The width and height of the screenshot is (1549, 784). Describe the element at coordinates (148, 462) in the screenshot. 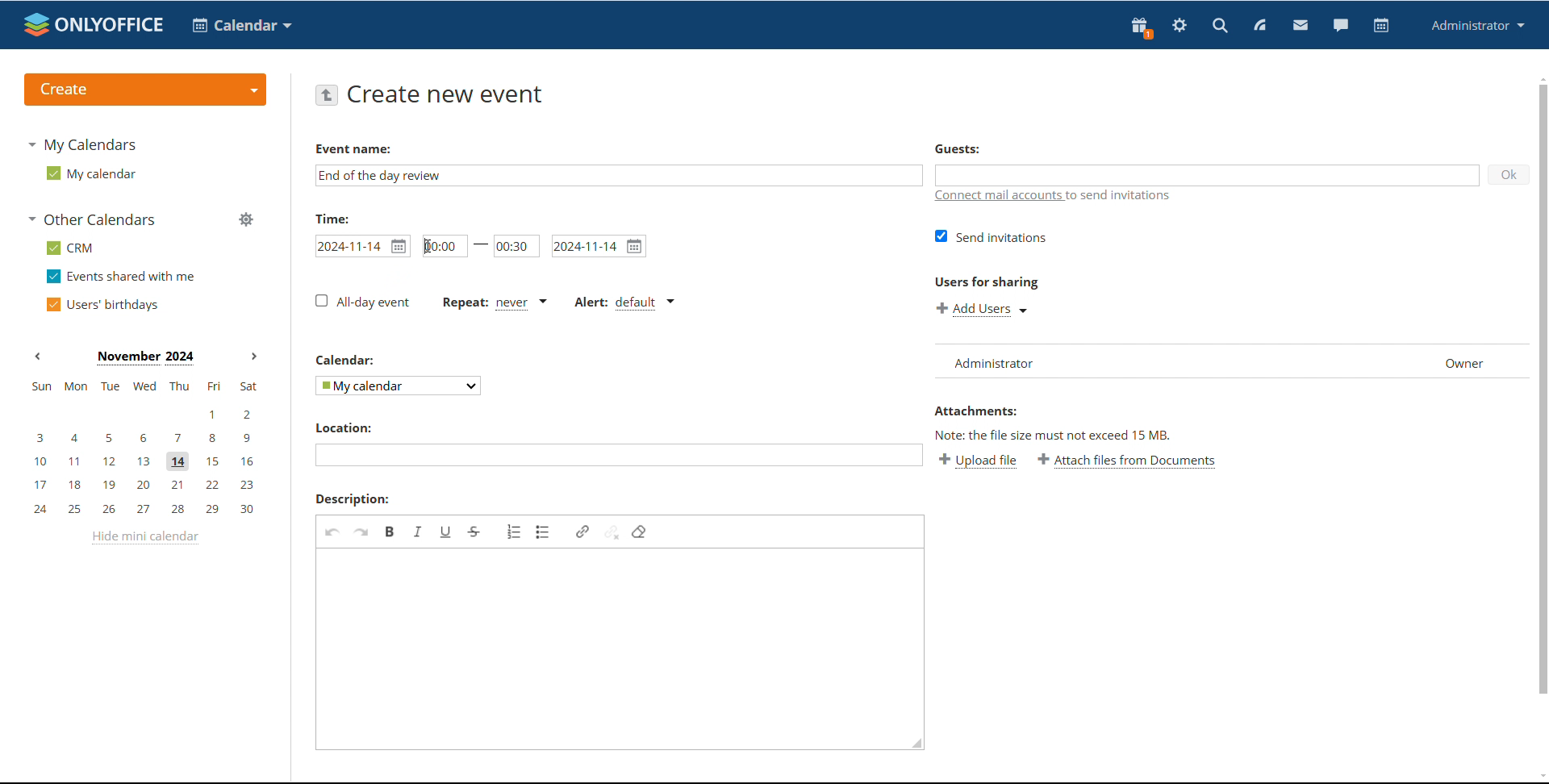

I see `10, 11, 12, 13, 14, 15, 16` at that location.